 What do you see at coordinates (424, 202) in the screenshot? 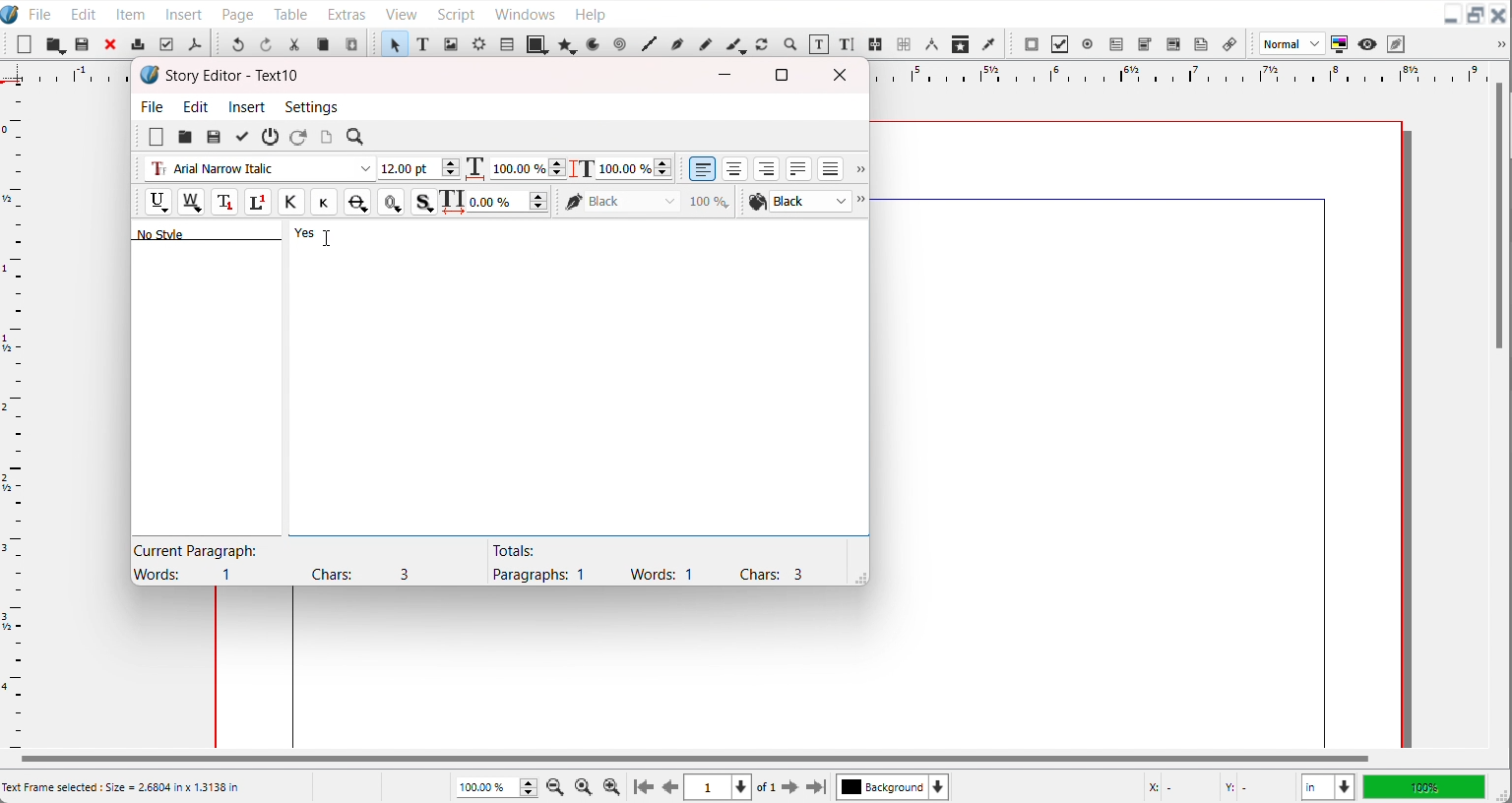
I see `Shadowed Text` at bounding box center [424, 202].